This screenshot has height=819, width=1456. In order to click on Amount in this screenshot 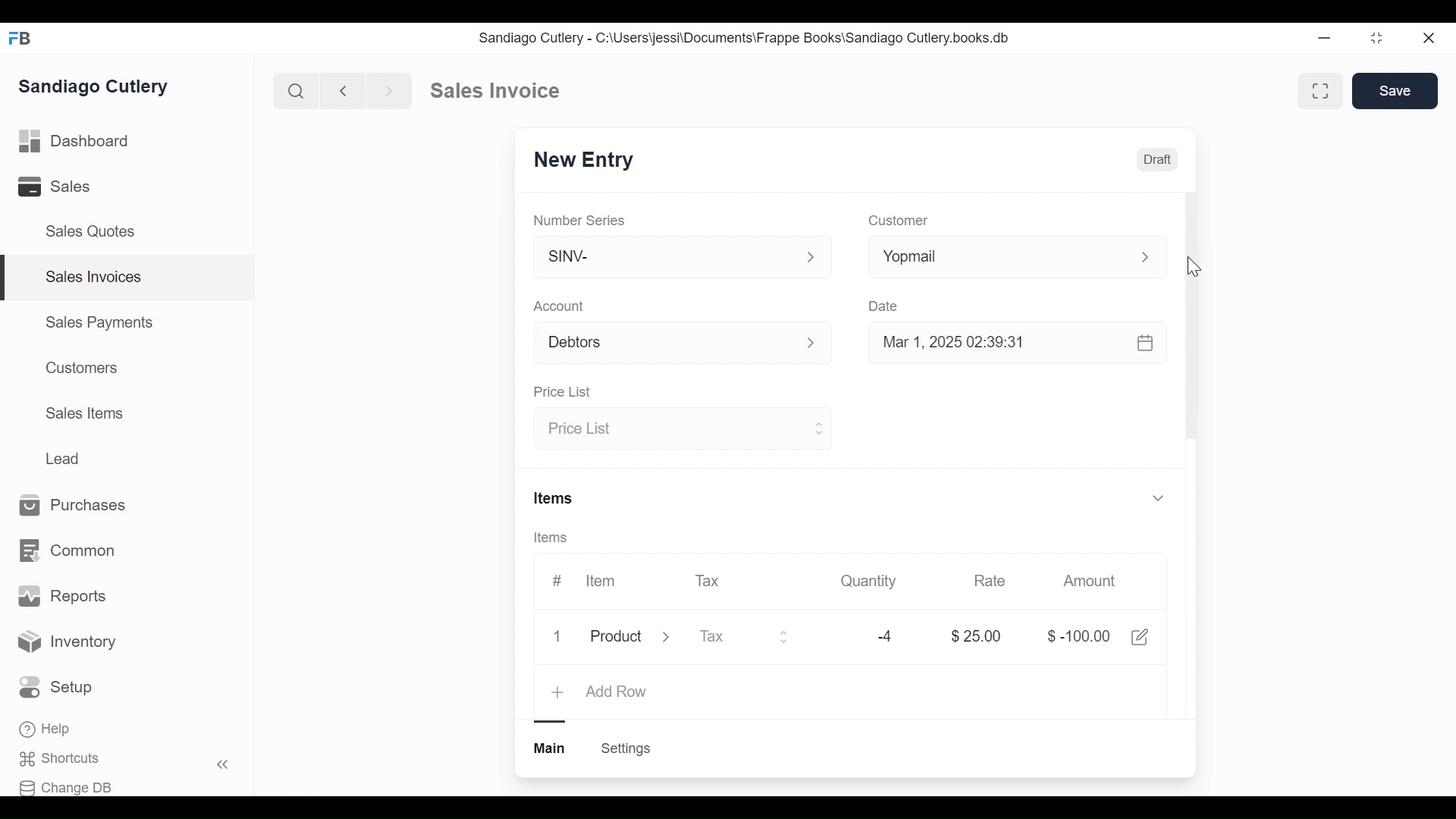, I will do `click(1090, 582)`.